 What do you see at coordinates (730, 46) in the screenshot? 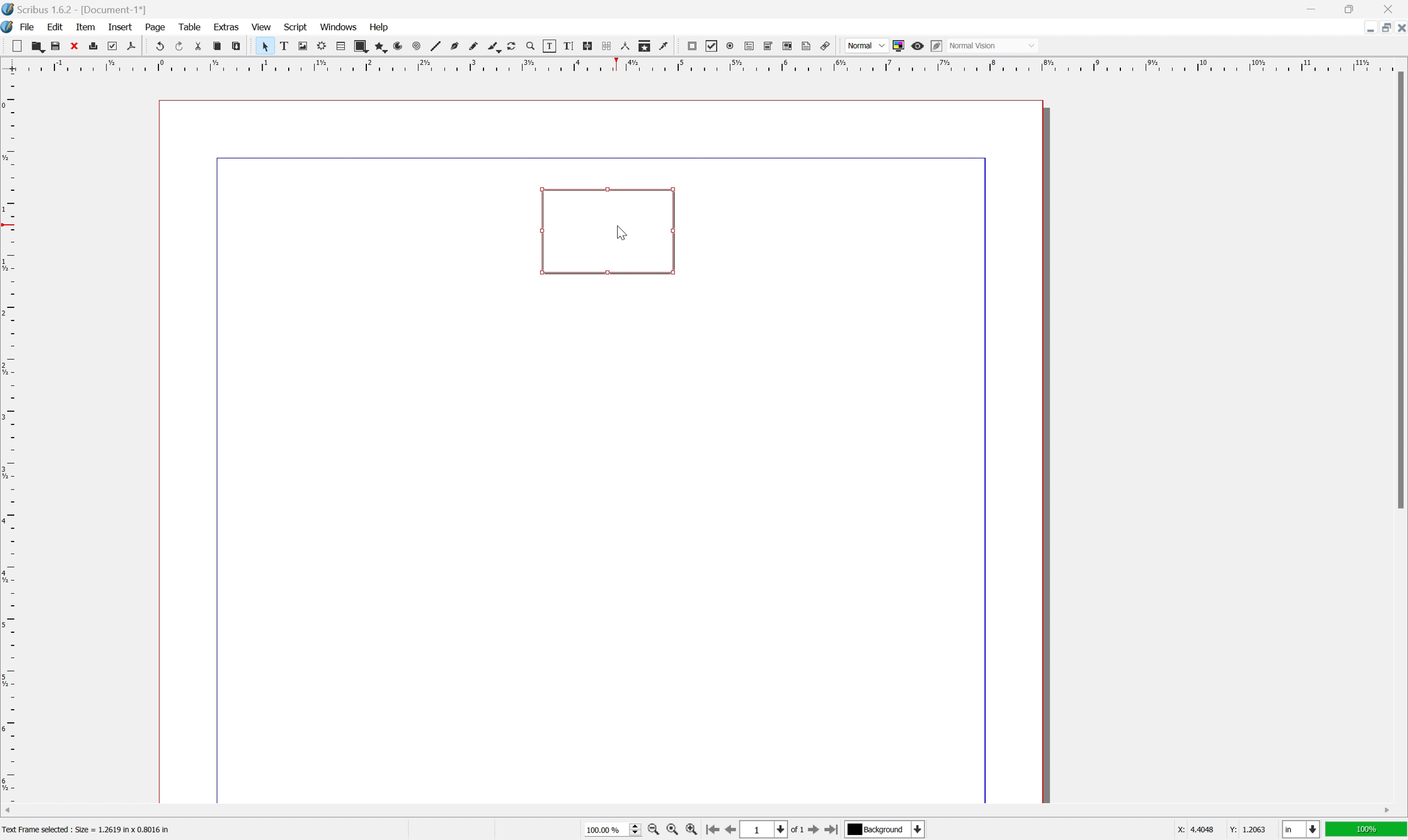
I see `pdf radio button` at bounding box center [730, 46].